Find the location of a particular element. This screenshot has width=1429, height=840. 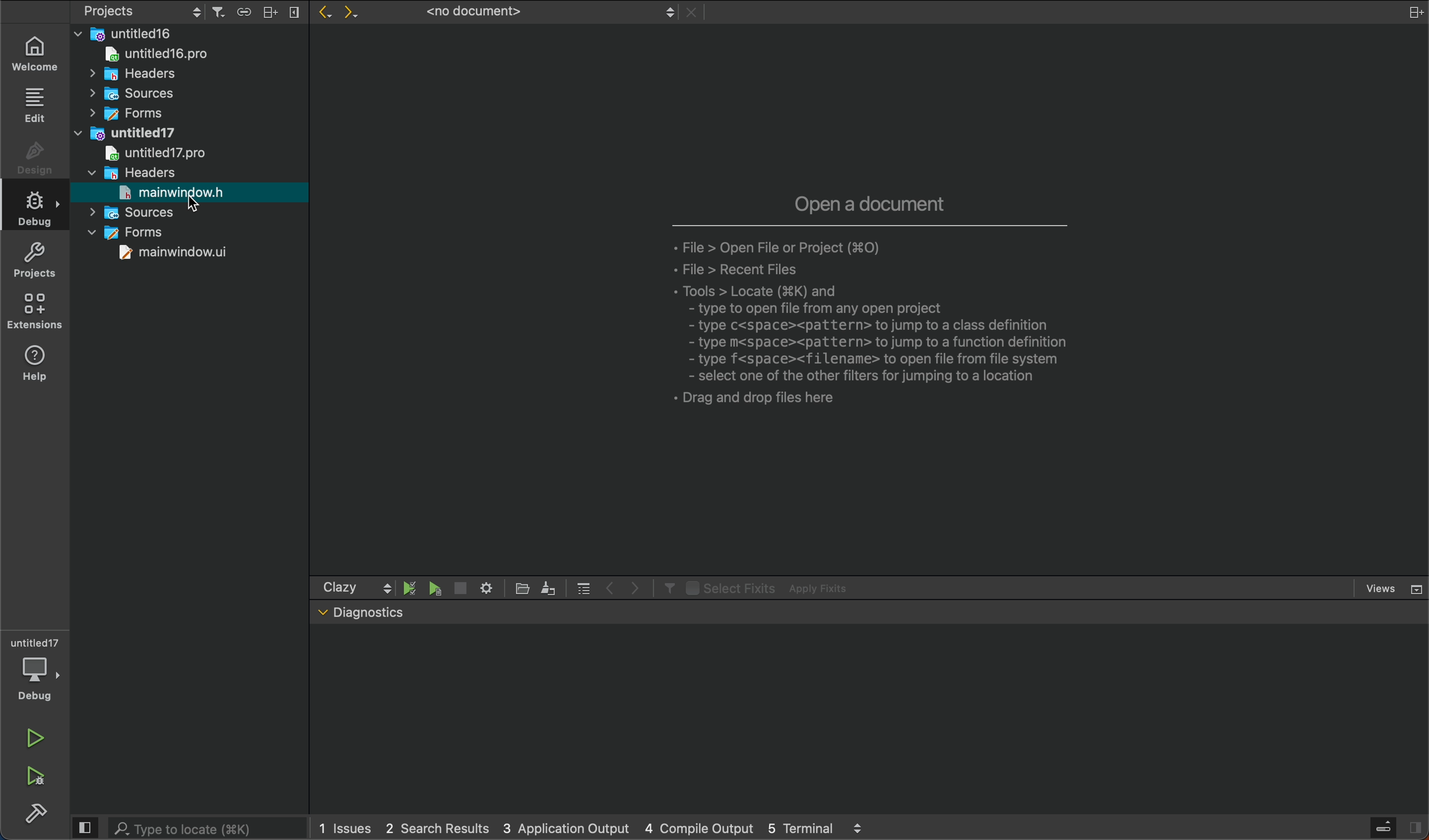

Filter is located at coordinates (666, 587).